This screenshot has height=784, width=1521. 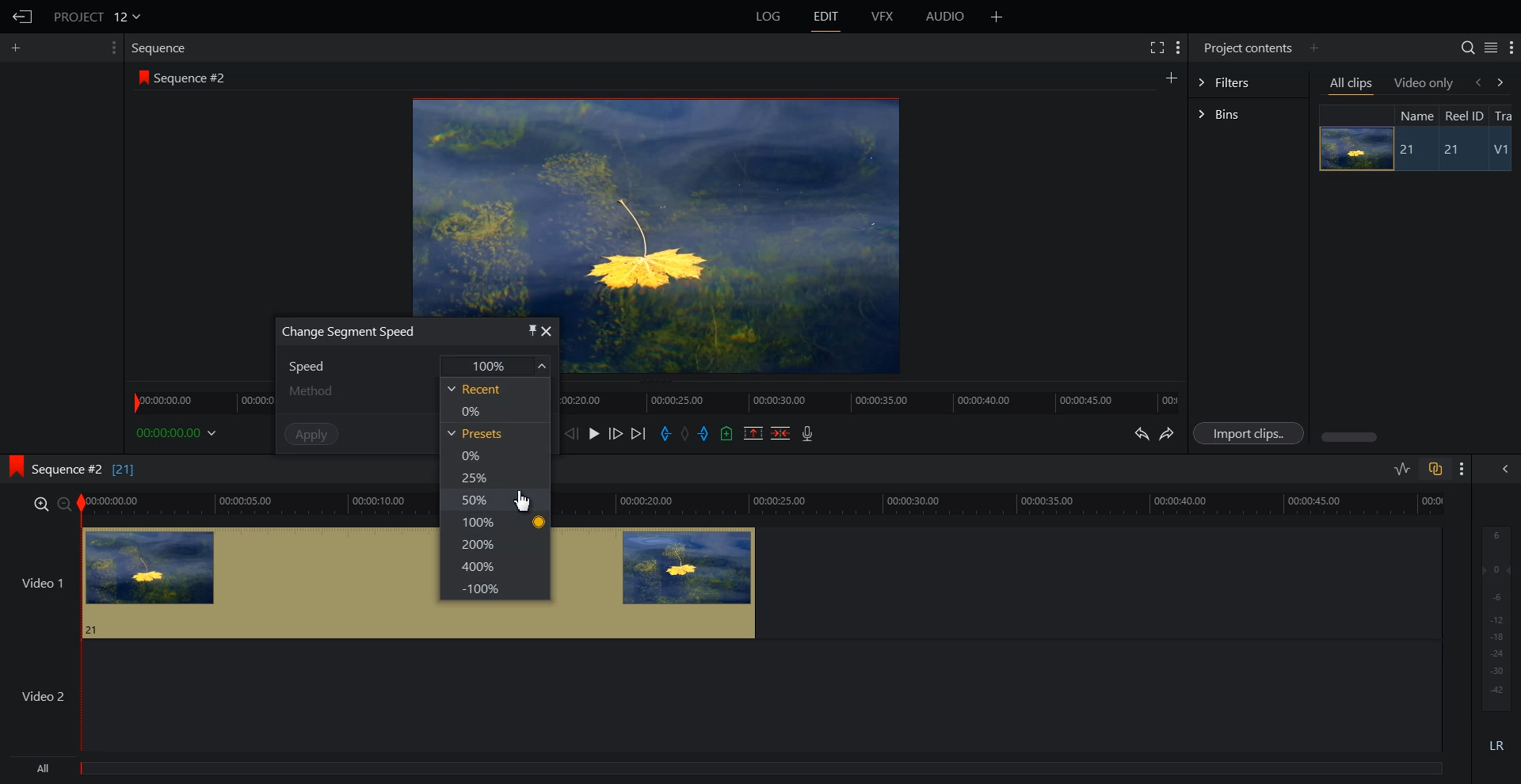 I want to click on Move forward, so click(x=639, y=434).